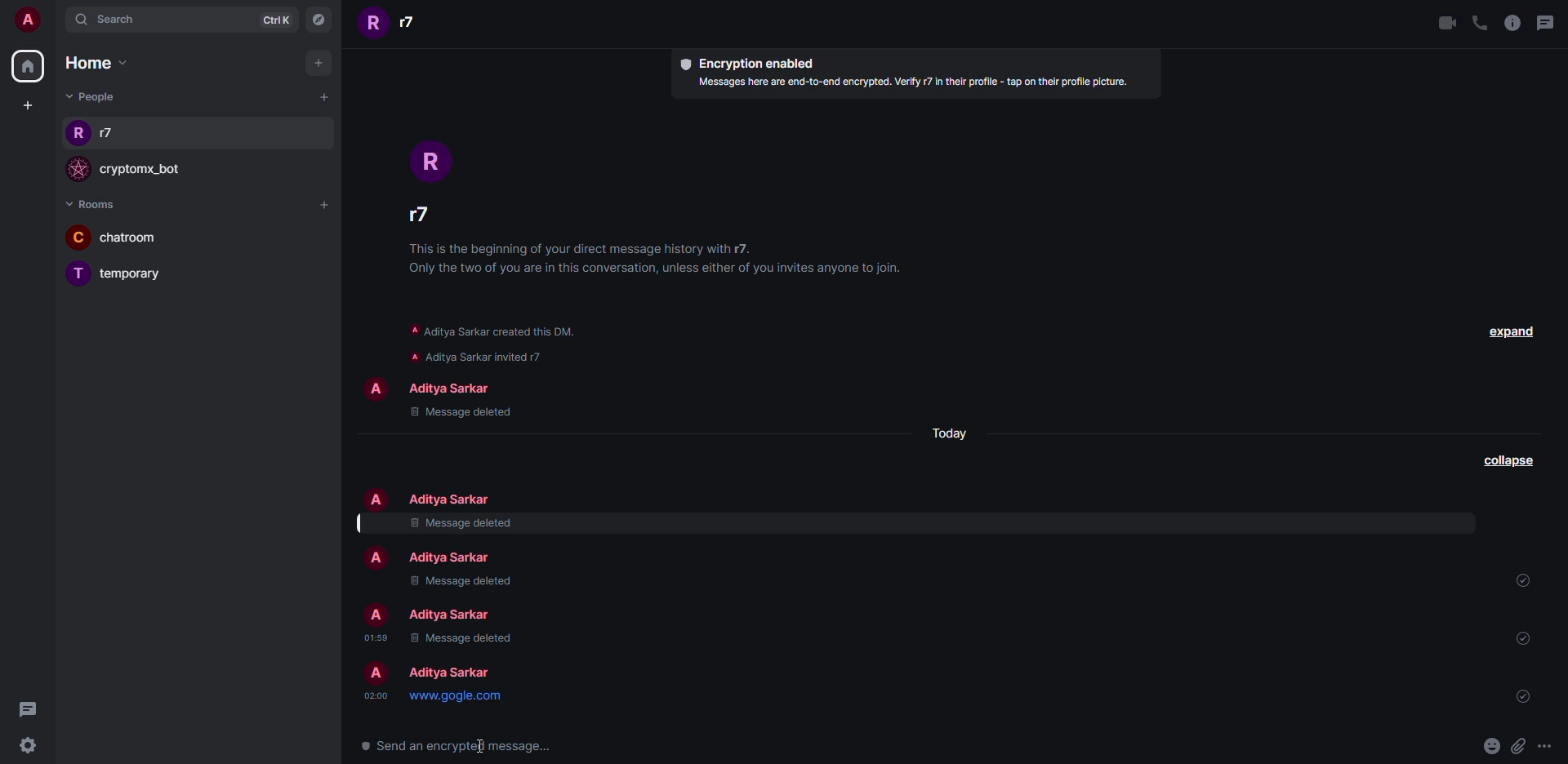  I want to click on people, so click(111, 135).